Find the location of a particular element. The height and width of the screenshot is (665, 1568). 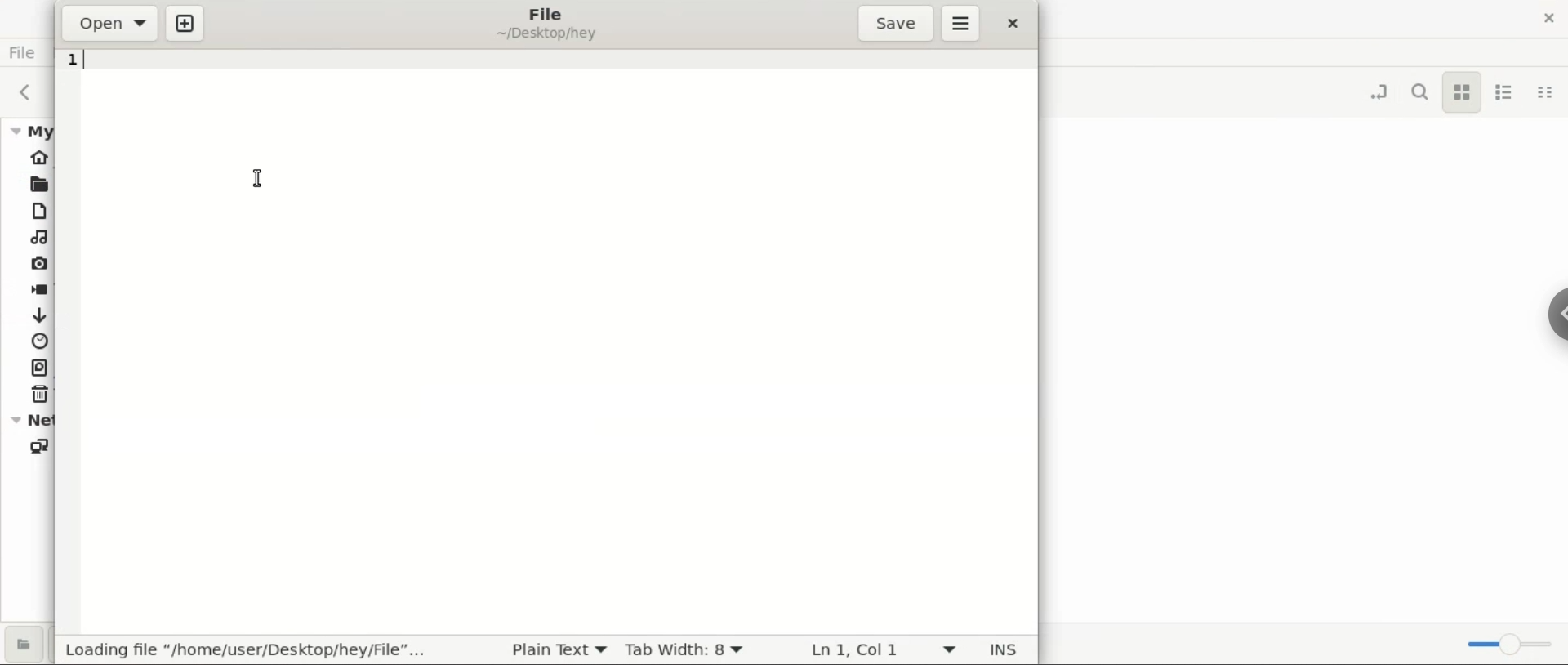

cursor is located at coordinates (256, 179).